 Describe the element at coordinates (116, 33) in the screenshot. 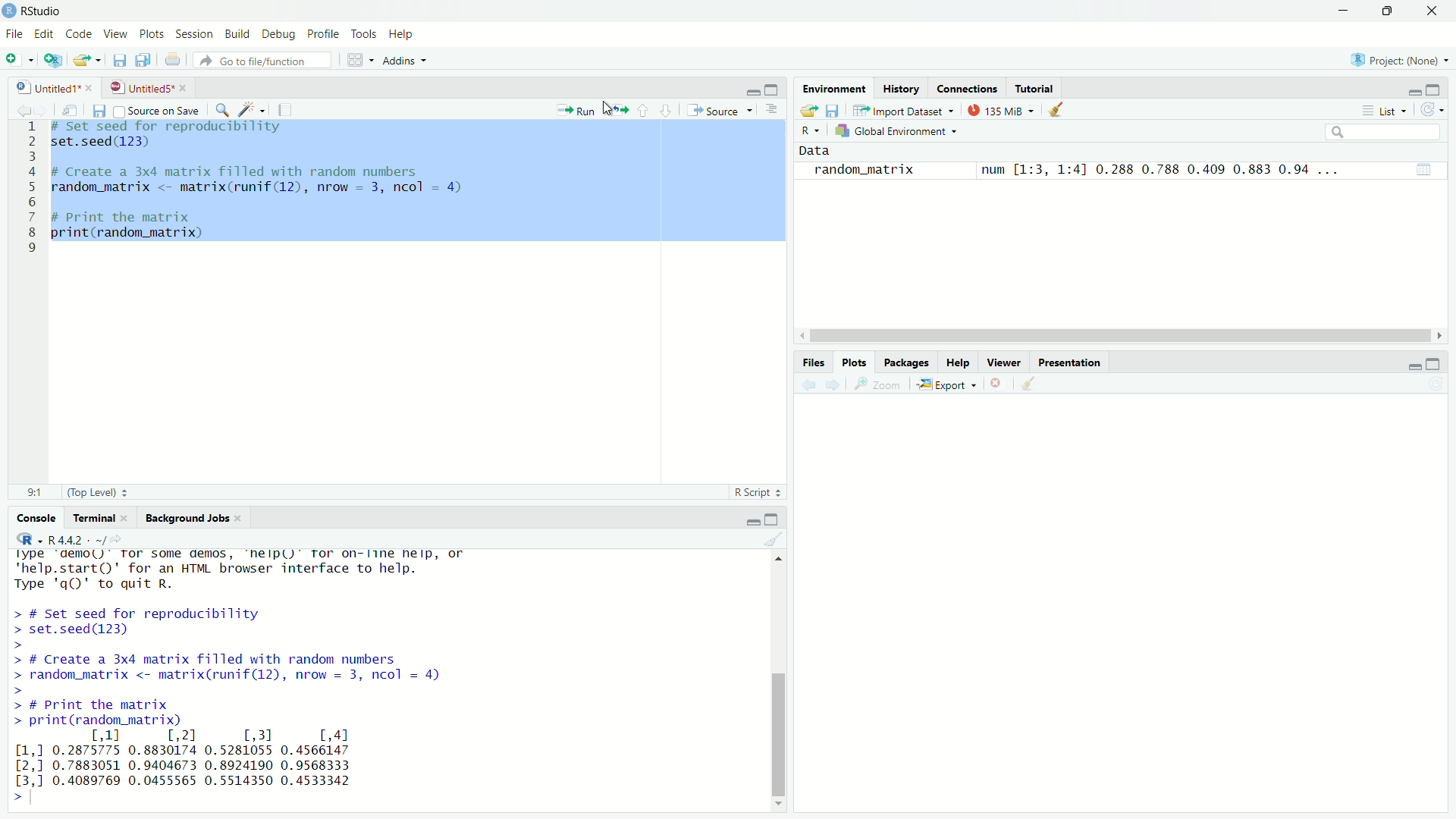

I see `View` at that location.